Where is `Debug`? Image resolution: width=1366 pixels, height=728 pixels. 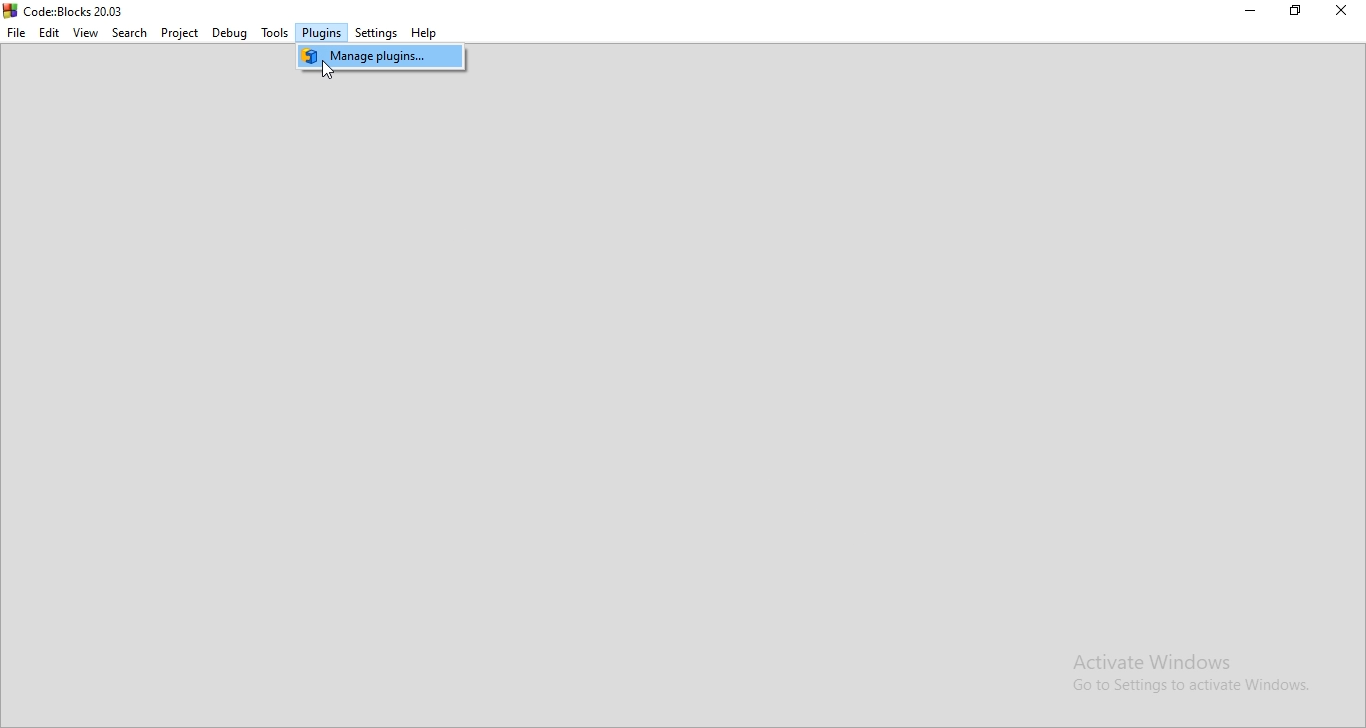
Debug is located at coordinates (230, 34).